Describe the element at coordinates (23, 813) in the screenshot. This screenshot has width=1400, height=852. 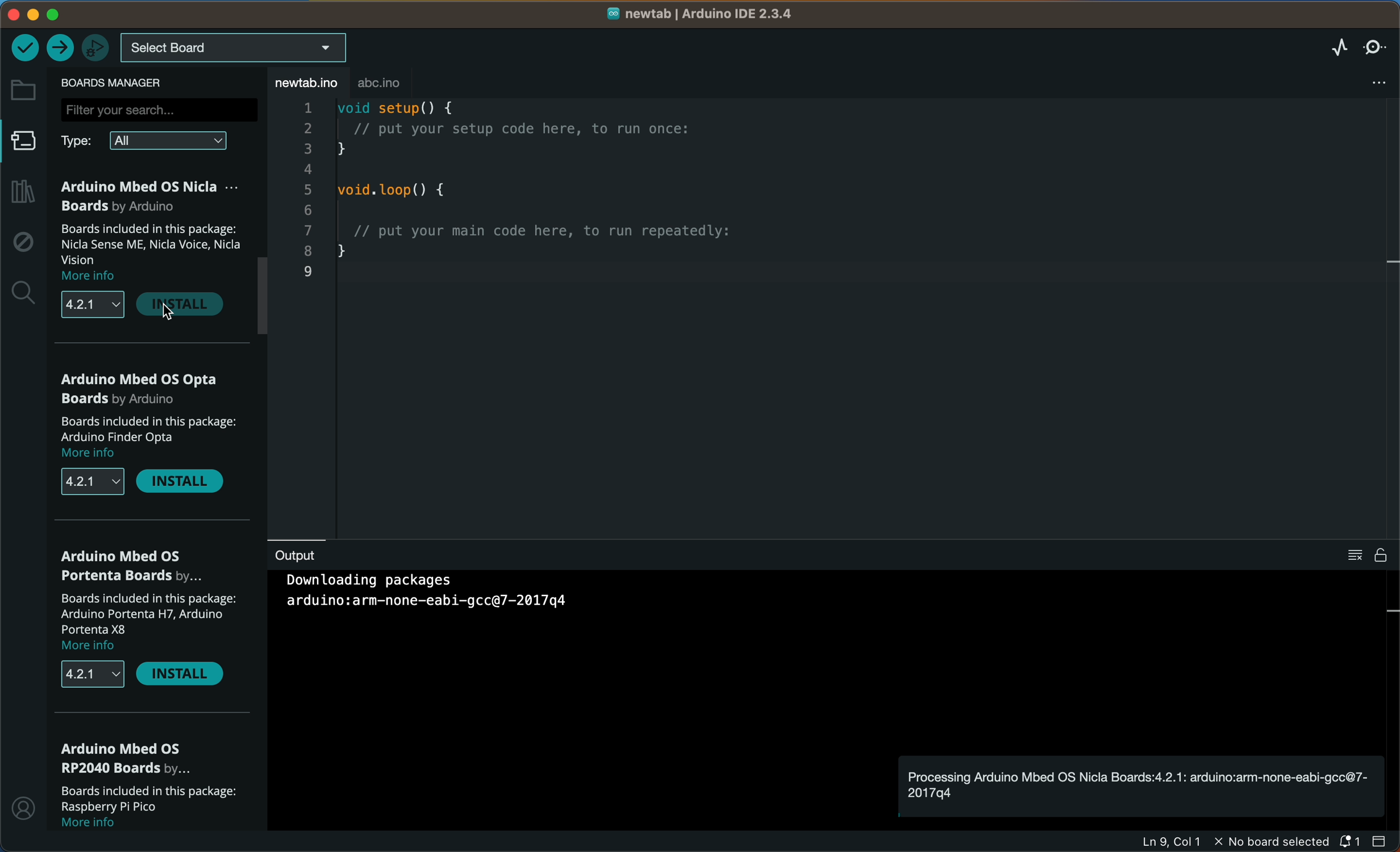
I see `profile` at that location.